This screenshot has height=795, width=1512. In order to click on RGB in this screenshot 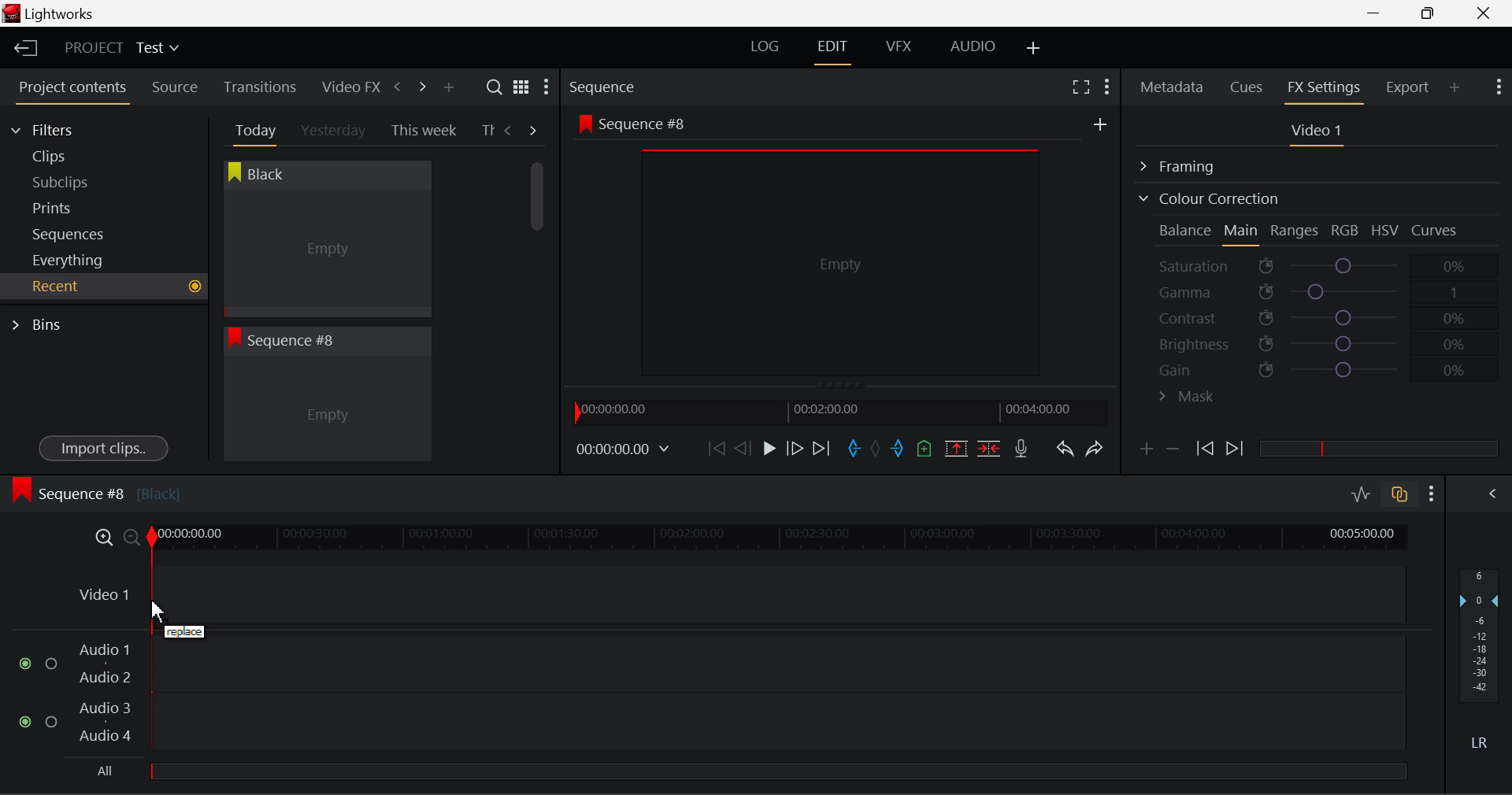, I will do `click(1346, 231)`.